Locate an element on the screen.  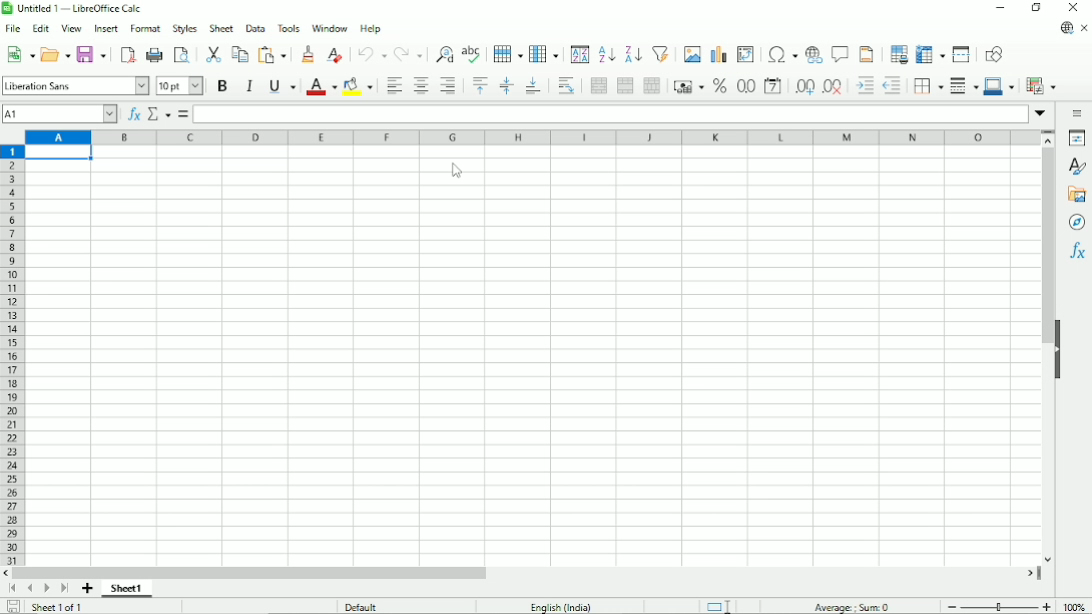
Borders is located at coordinates (927, 87).